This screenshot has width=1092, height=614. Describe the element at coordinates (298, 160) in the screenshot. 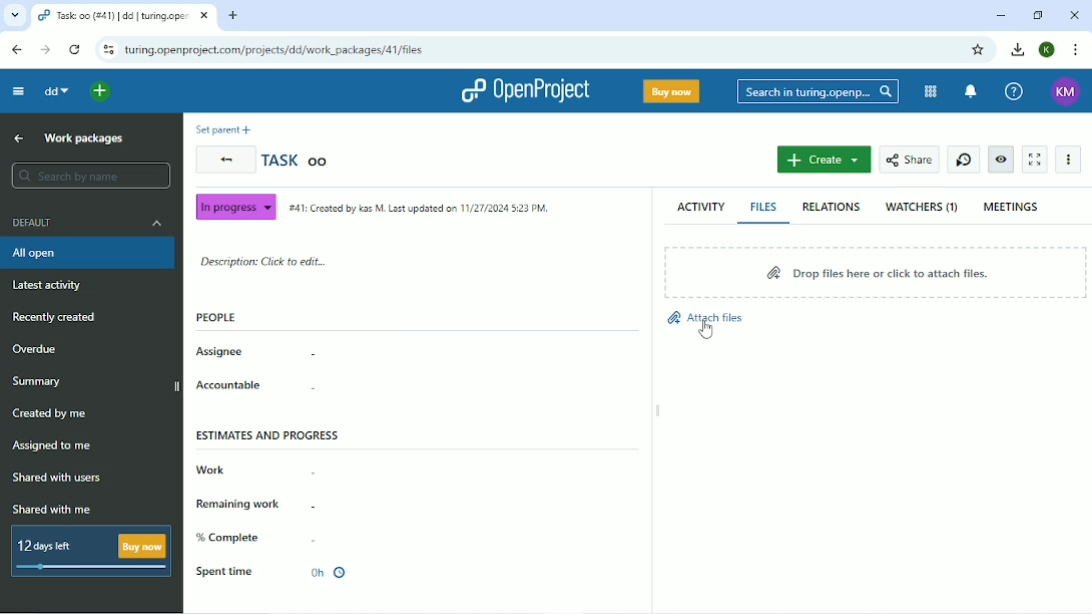

I see `Task oo` at that location.